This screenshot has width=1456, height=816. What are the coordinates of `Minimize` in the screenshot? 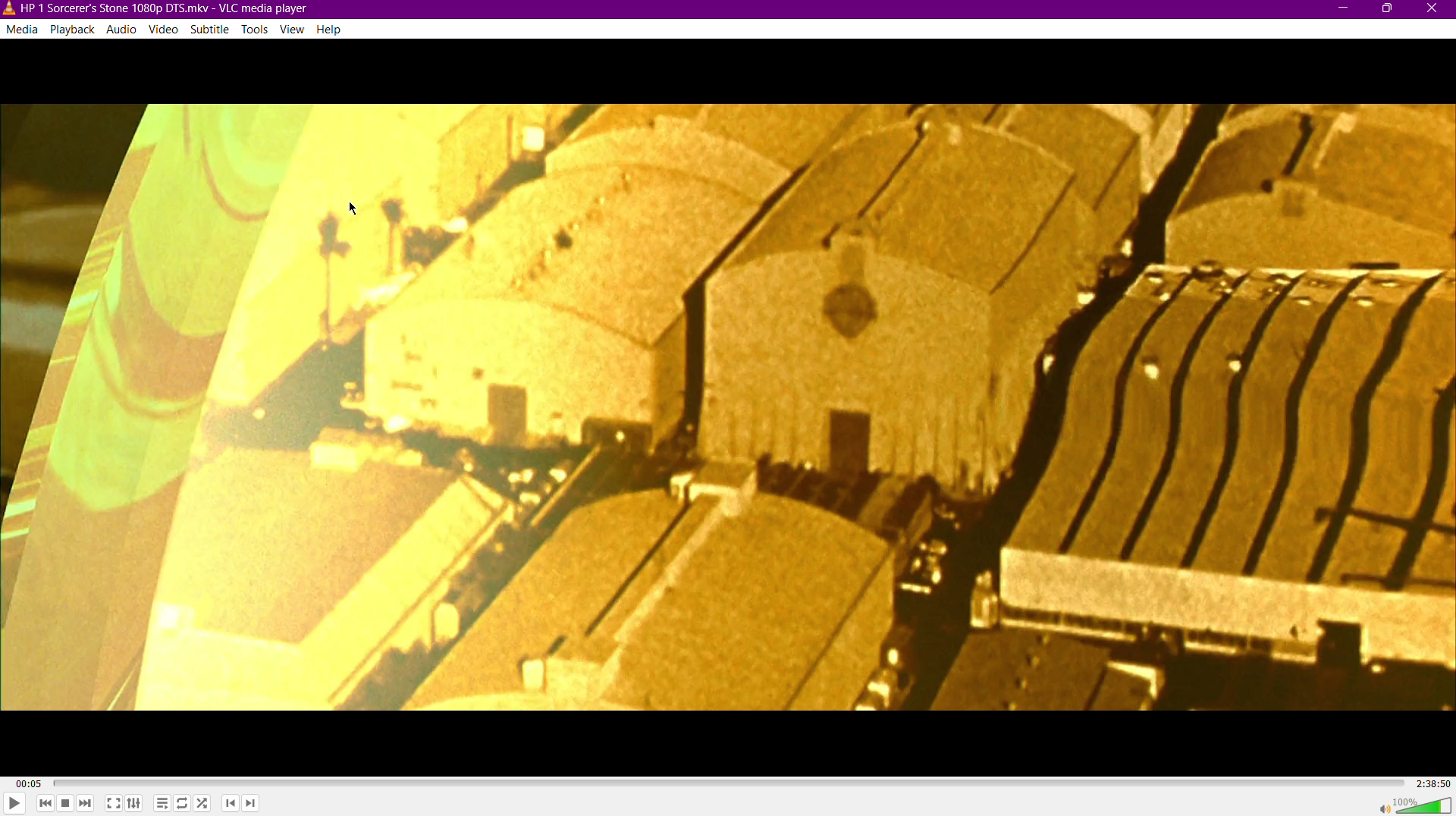 It's located at (1346, 9).